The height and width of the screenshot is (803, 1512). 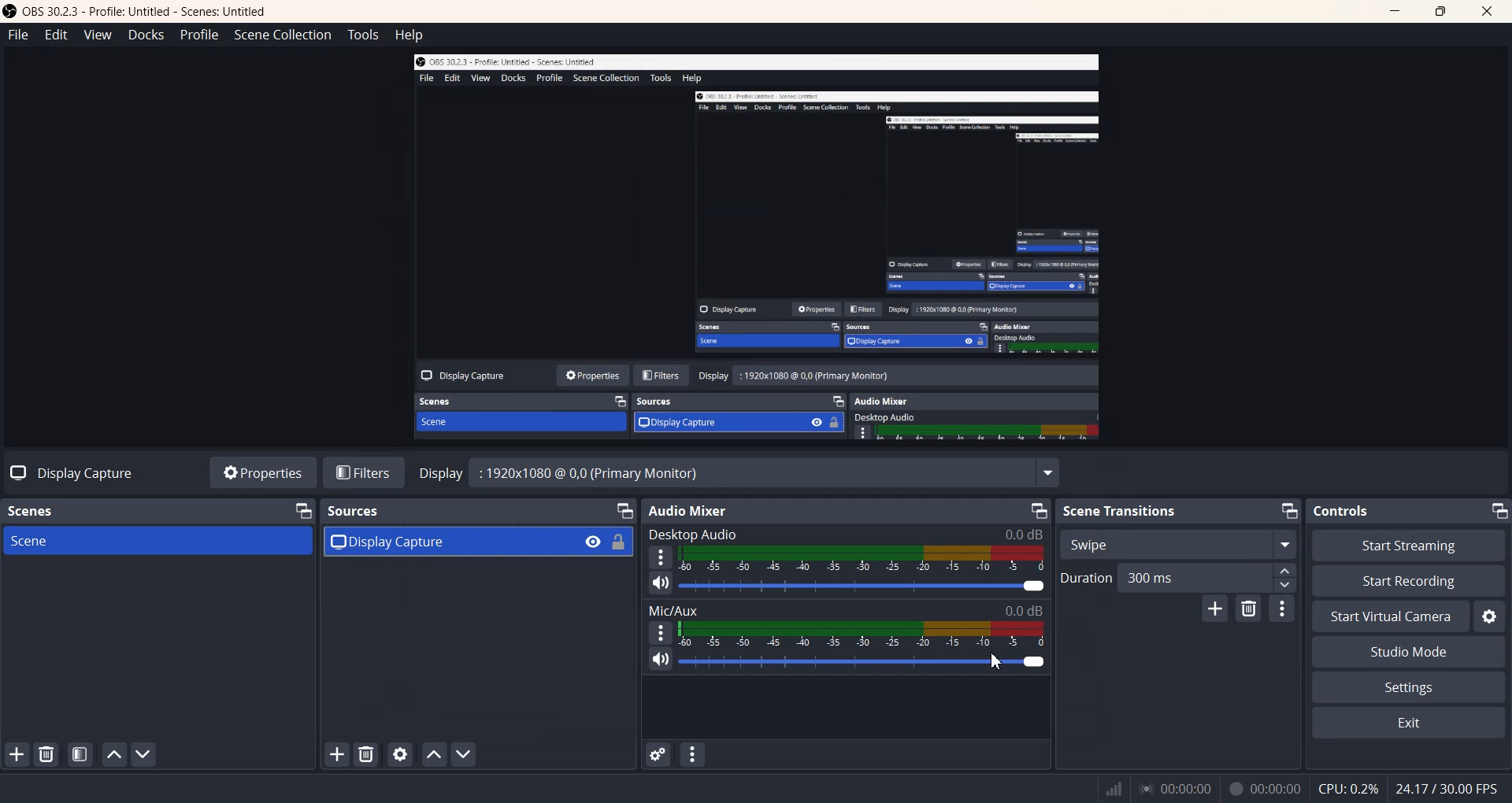 What do you see at coordinates (68, 473) in the screenshot?
I see `Text` at bounding box center [68, 473].